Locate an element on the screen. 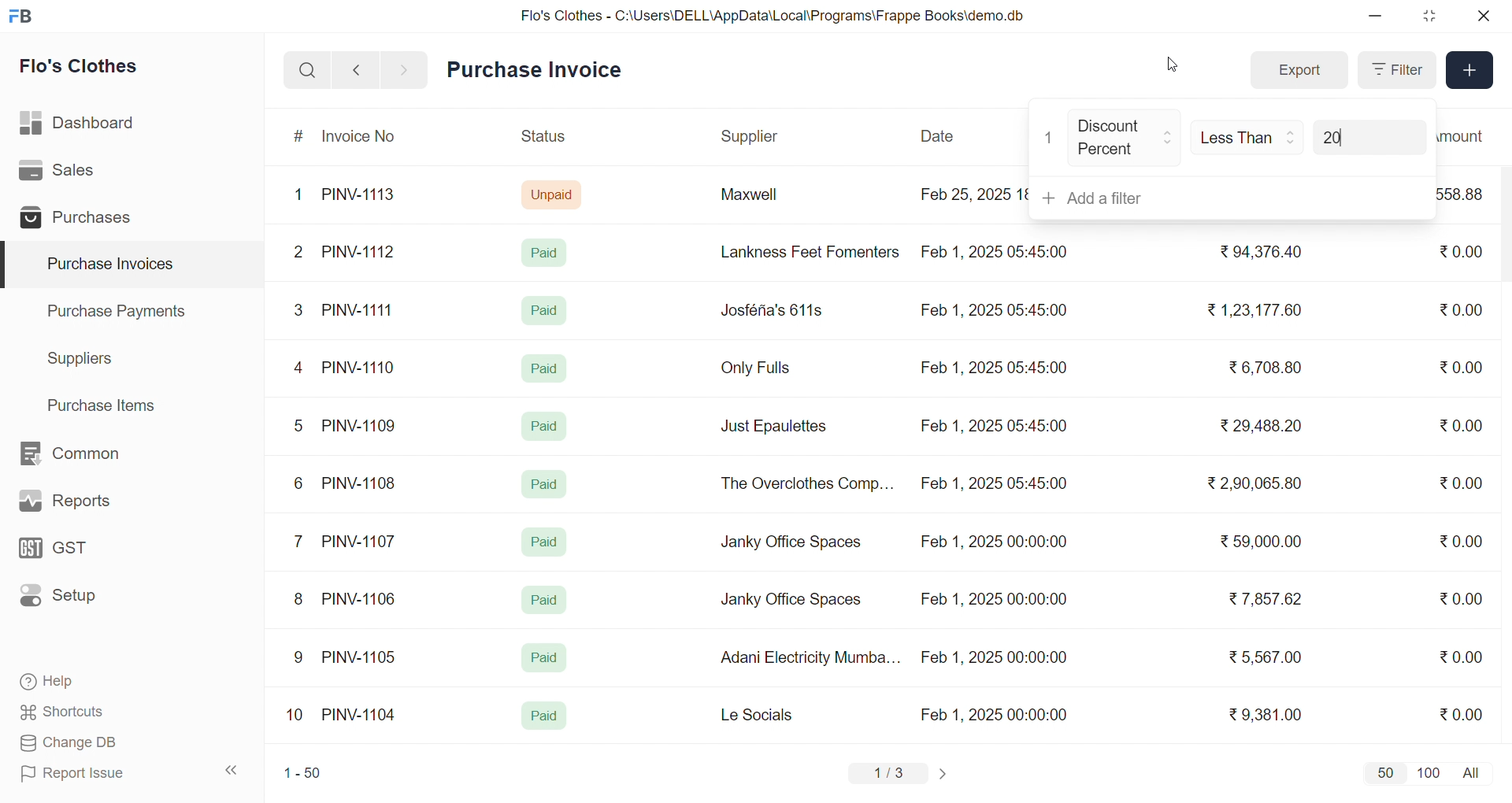 The image size is (1512, 803). Feb 1, 2025 05:45:00 is located at coordinates (996, 485).